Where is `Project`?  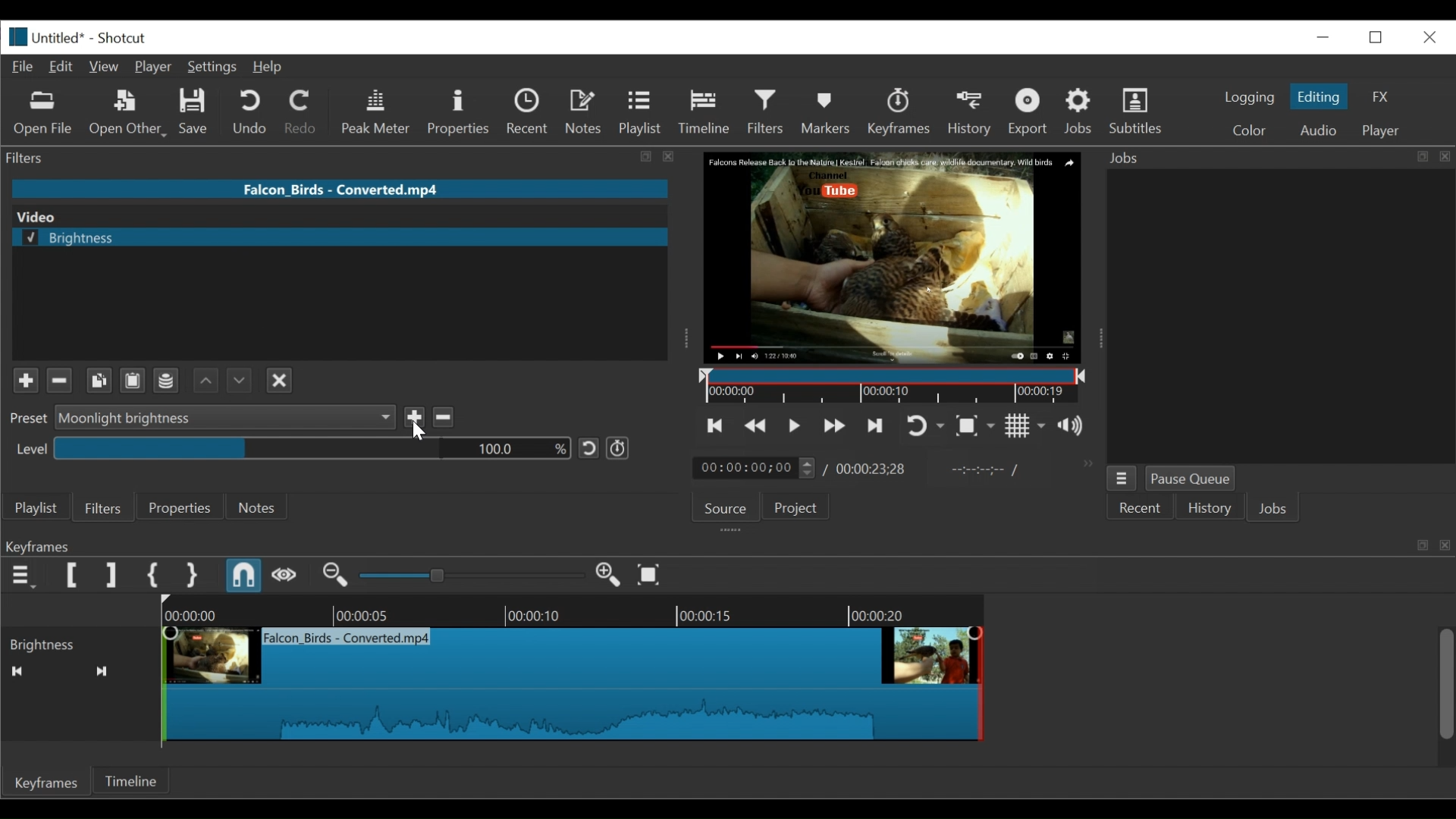
Project is located at coordinates (795, 507).